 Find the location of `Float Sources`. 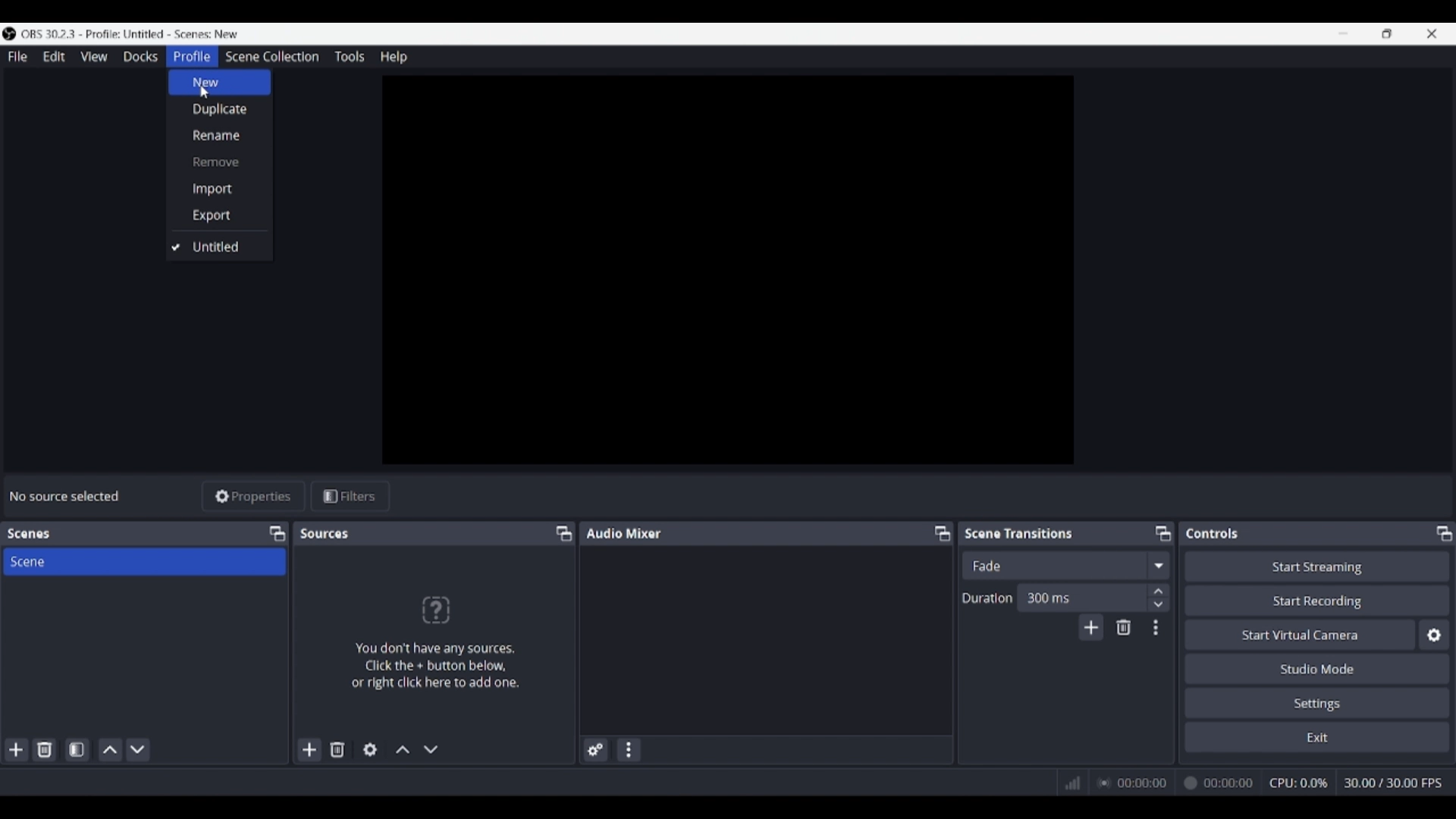

Float Sources is located at coordinates (564, 533).